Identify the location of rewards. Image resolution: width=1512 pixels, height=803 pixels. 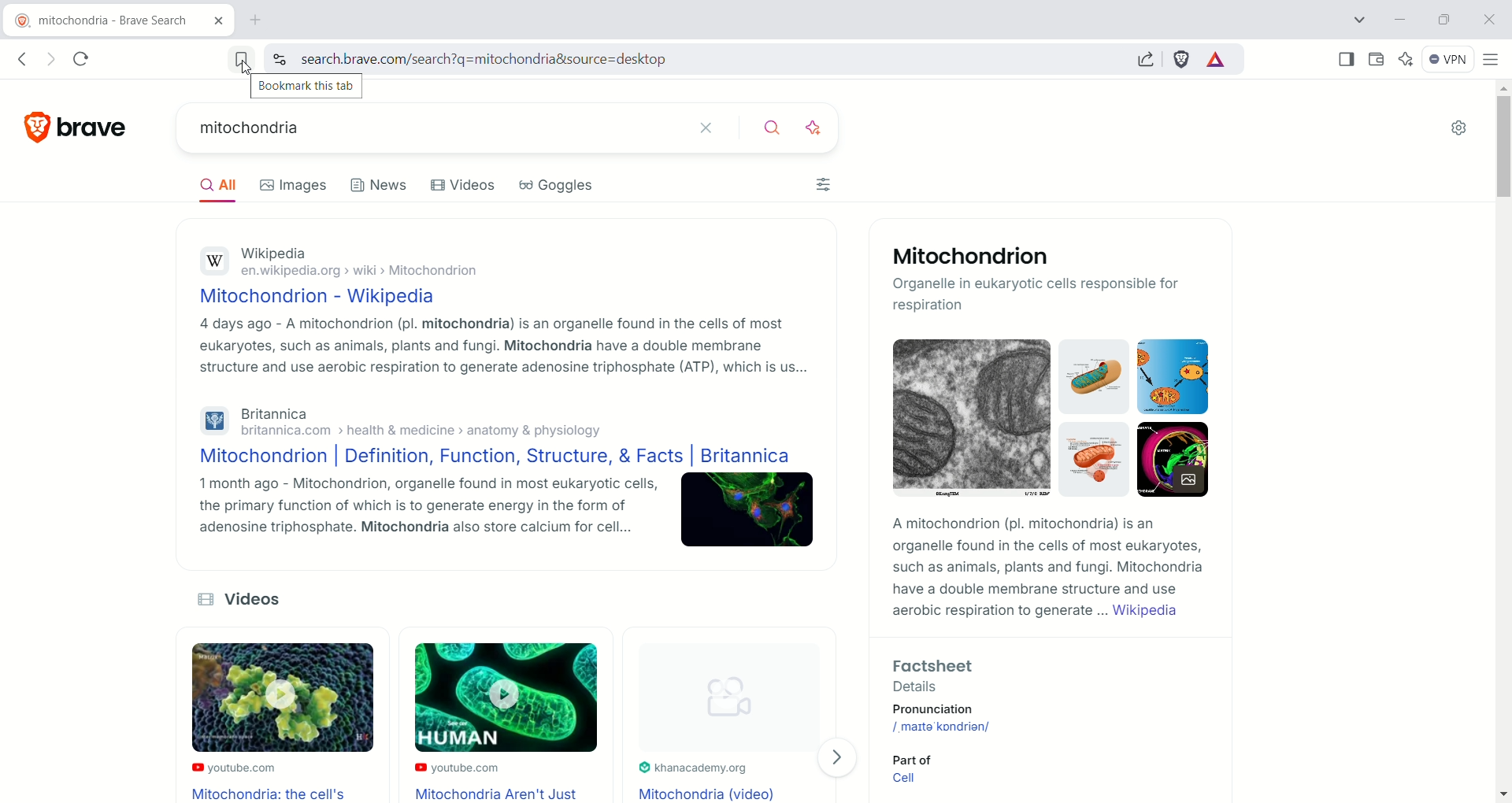
(1215, 61).